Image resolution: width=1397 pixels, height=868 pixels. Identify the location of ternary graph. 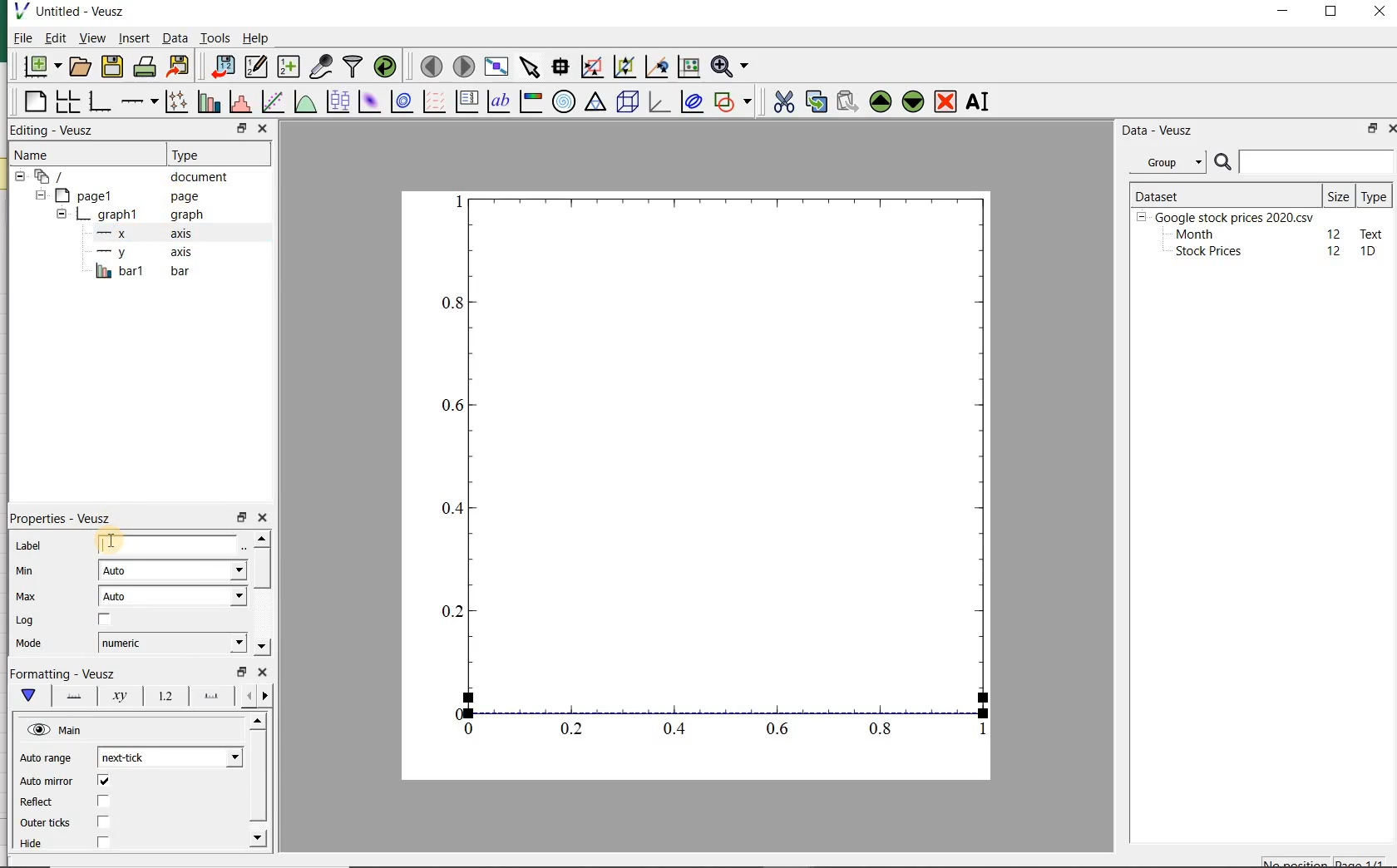
(595, 103).